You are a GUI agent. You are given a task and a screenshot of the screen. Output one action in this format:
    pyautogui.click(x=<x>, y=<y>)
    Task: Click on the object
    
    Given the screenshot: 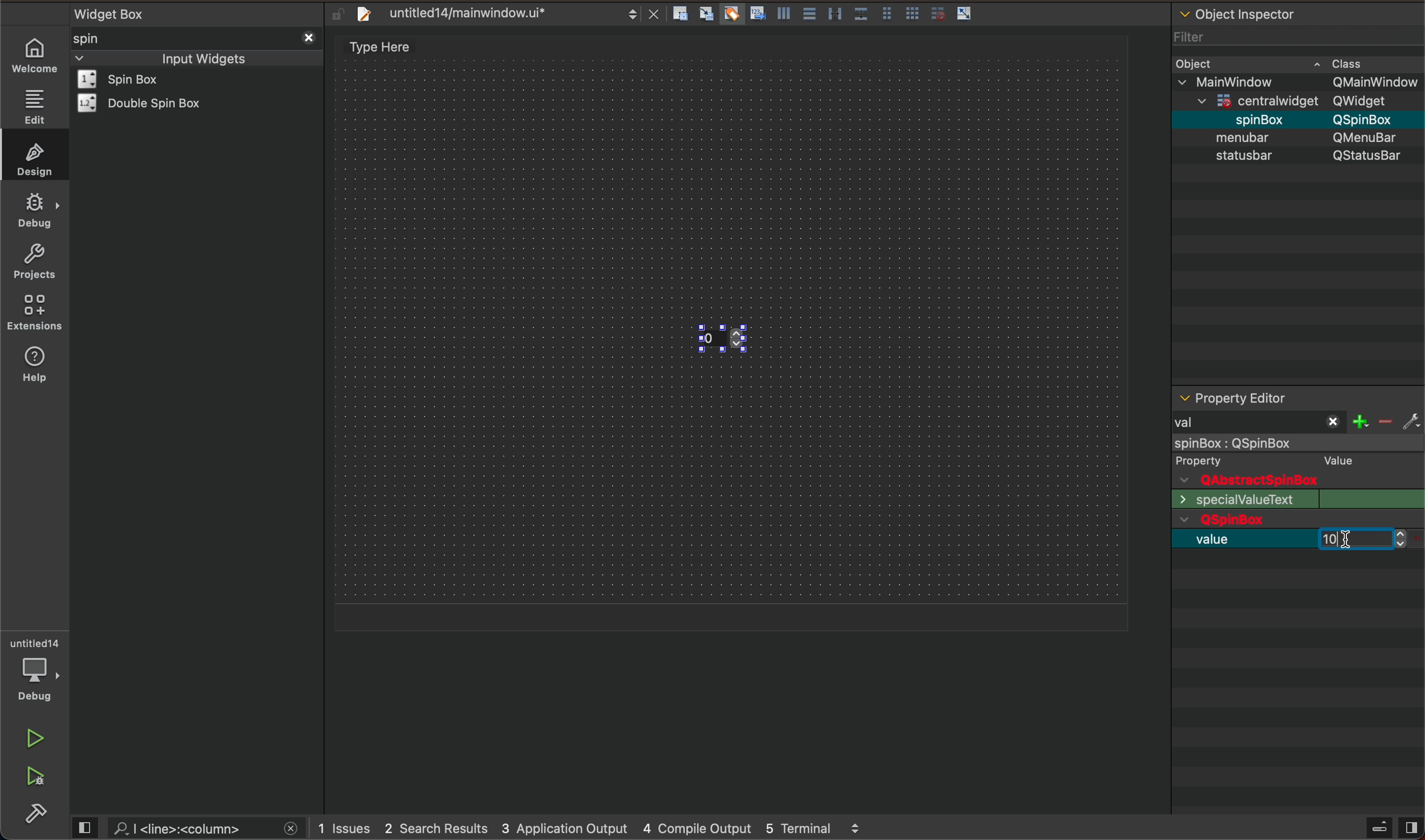 What is the action you would take?
    pyautogui.click(x=1246, y=137)
    